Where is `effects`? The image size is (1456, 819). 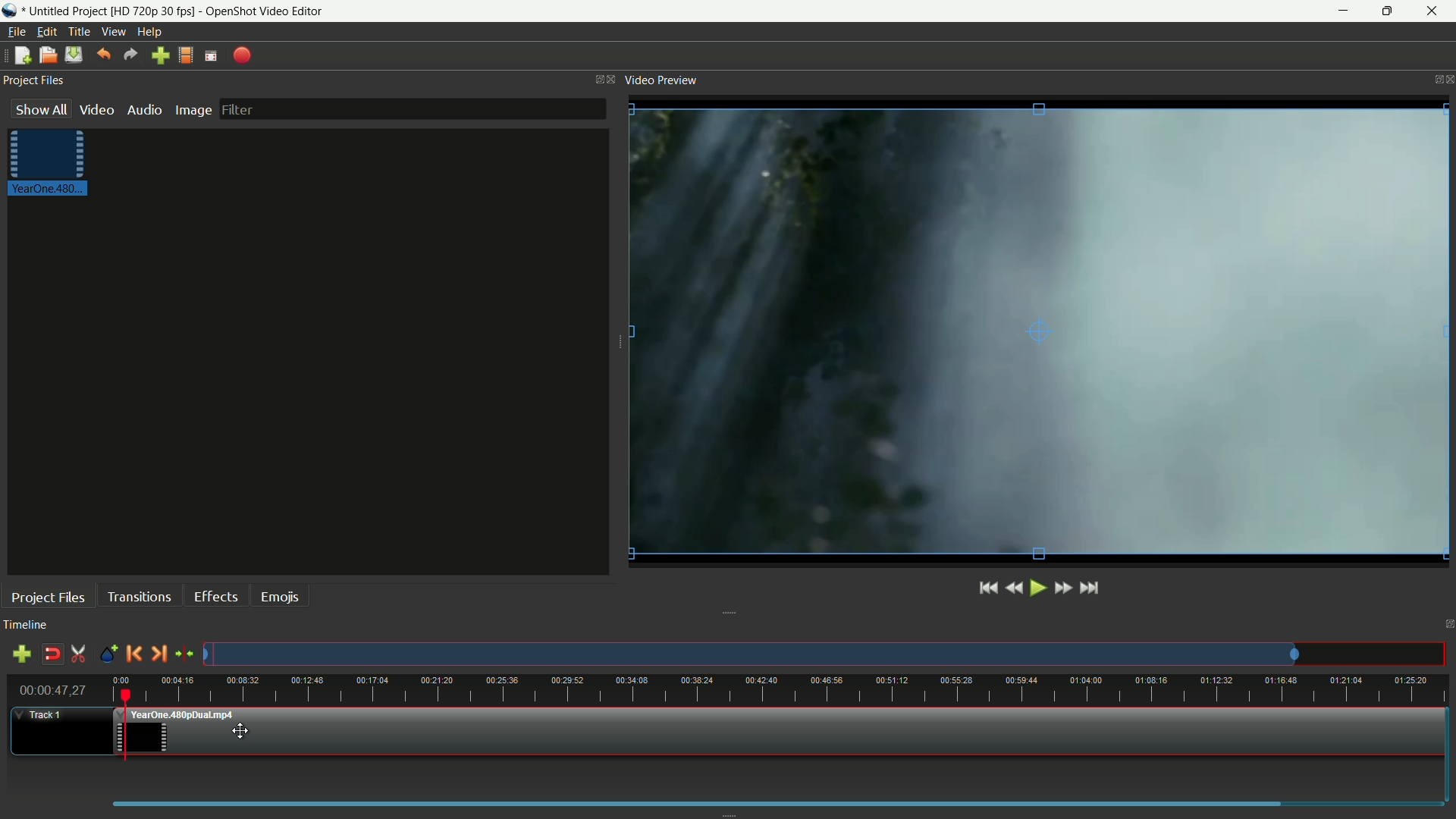 effects is located at coordinates (215, 597).